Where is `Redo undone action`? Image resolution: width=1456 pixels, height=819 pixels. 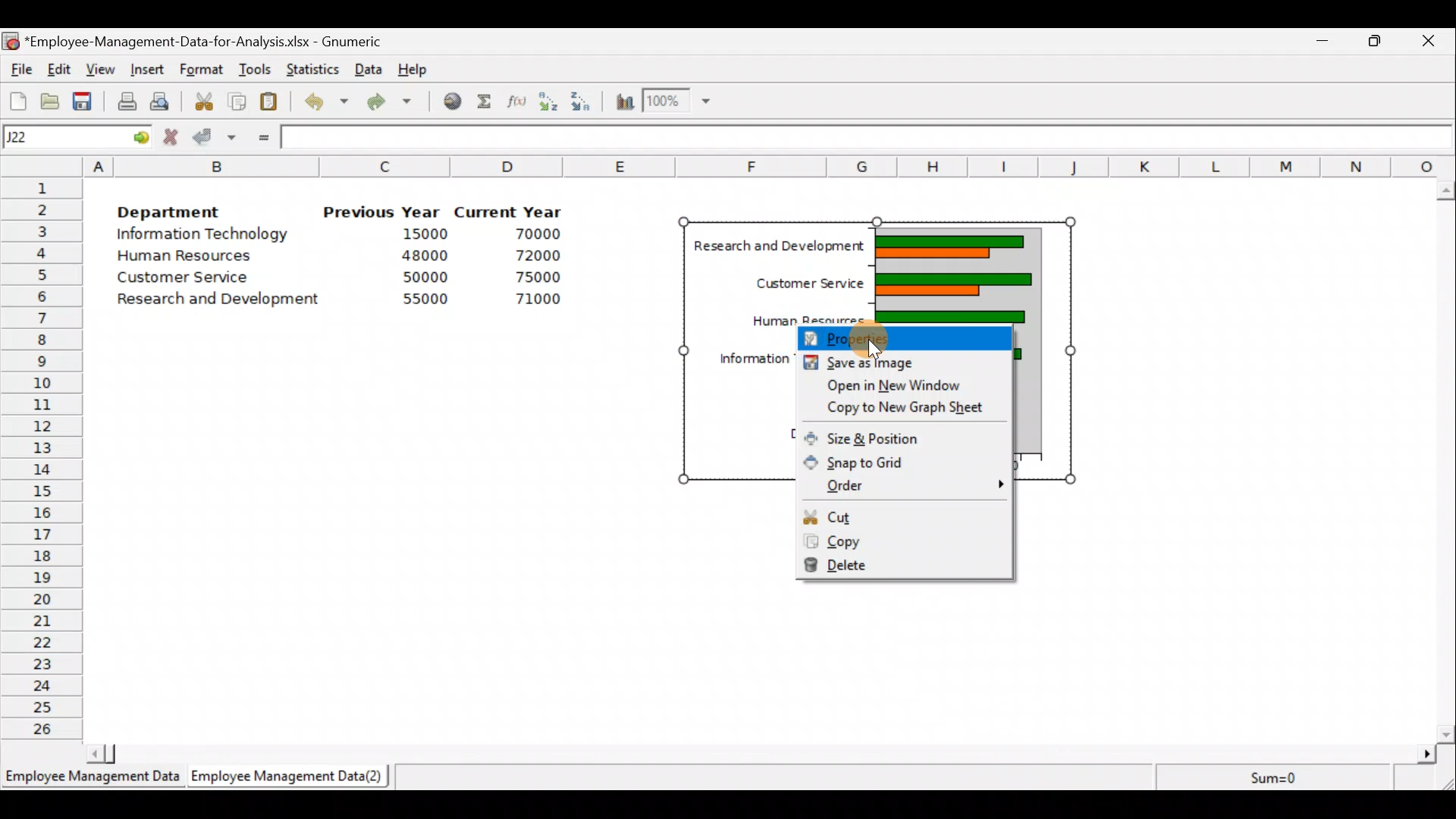 Redo undone action is located at coordinates (397, 103).